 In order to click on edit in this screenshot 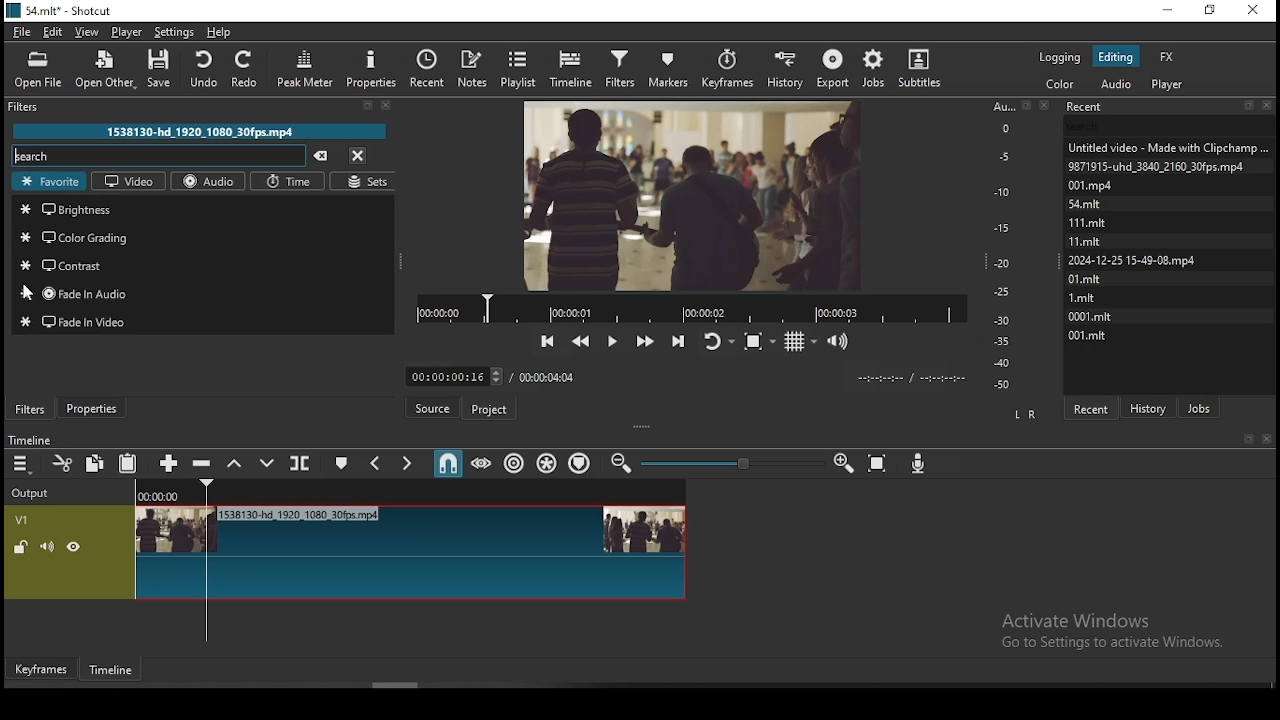, I will do `click(54, 33)`.